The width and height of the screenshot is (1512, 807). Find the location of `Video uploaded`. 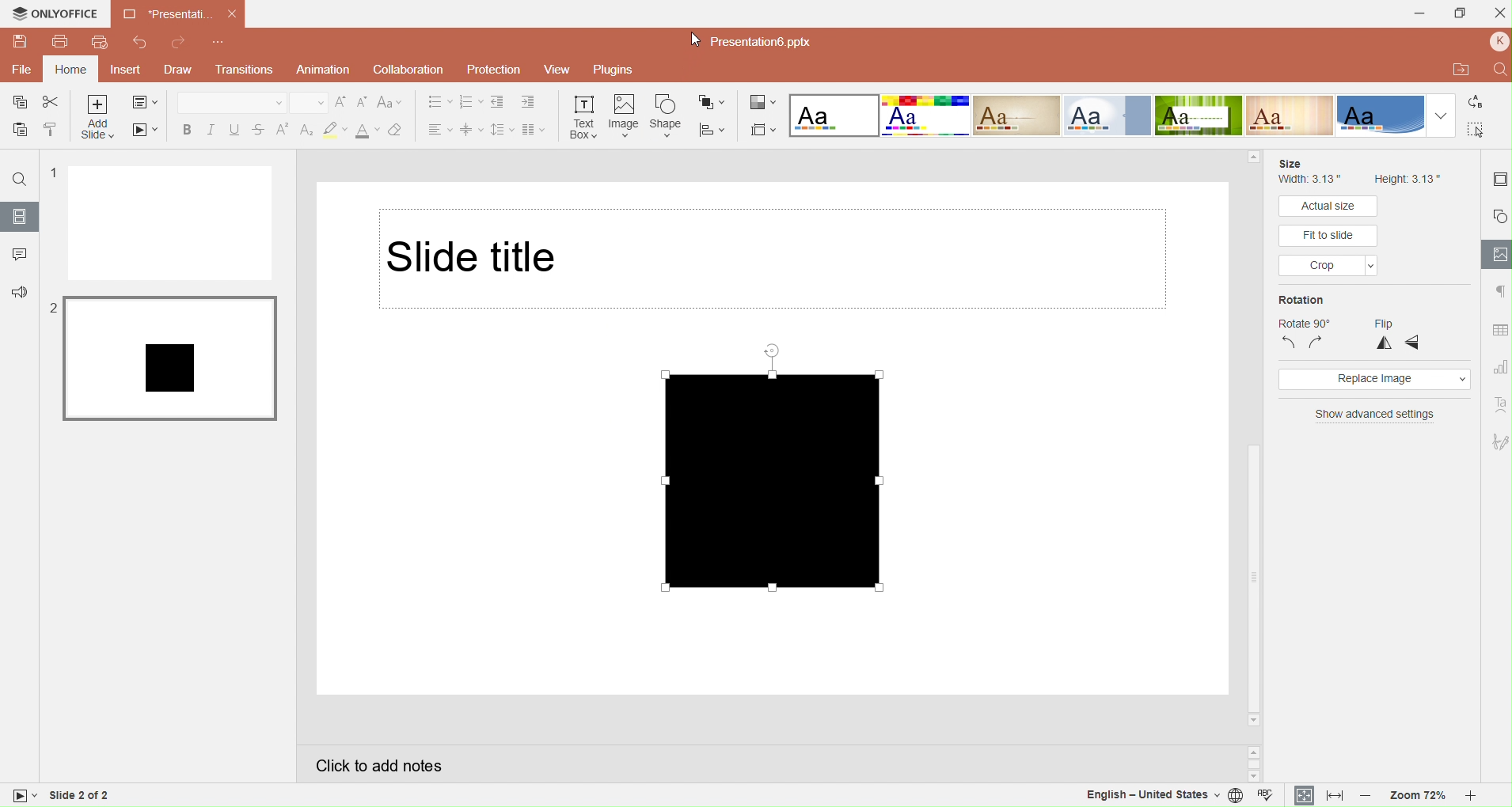

Video uploaded is located at coordinates (794, 471).